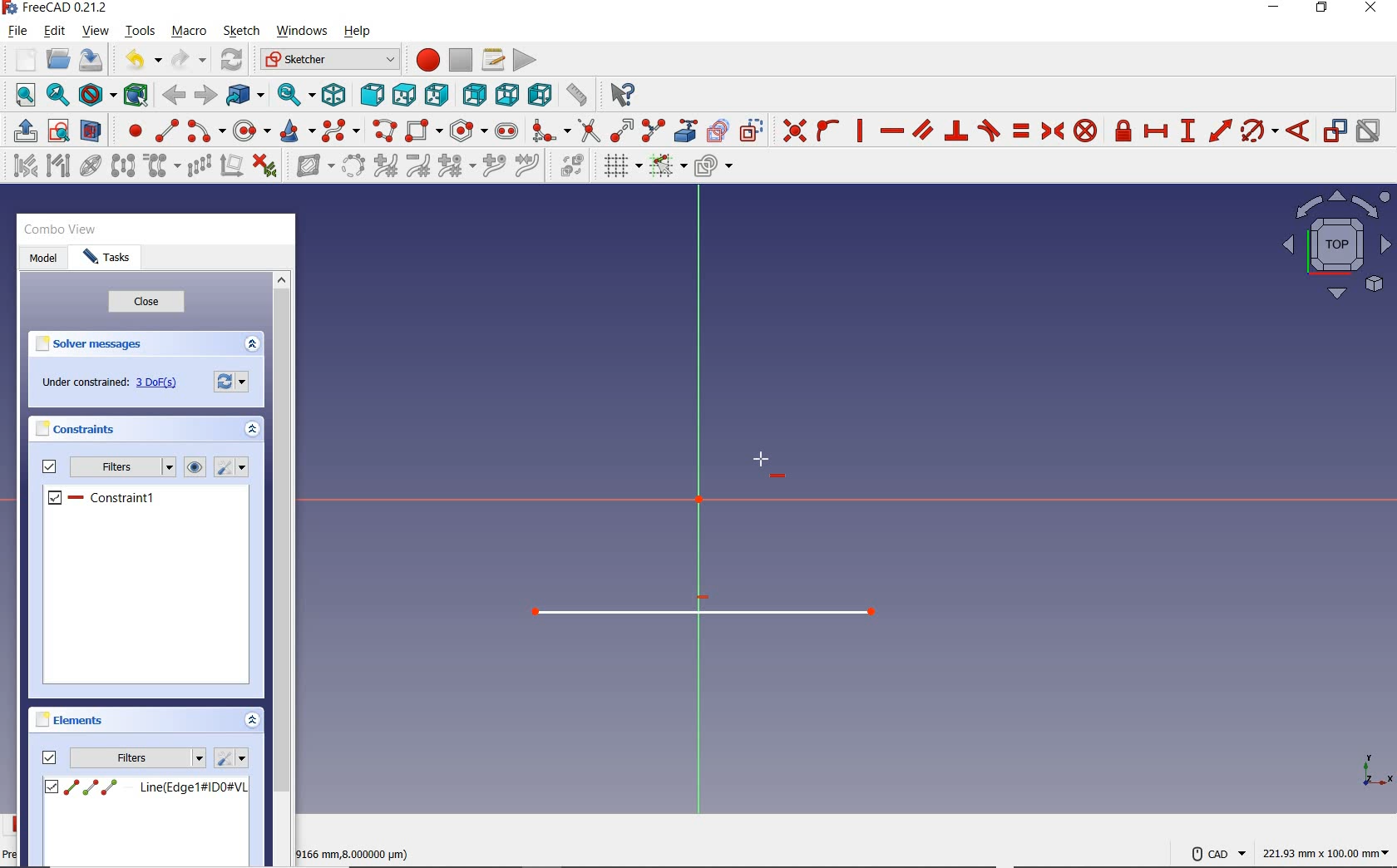 This screenshot has height=868, width=1397. I want to click on REDO, so click(188, 61).